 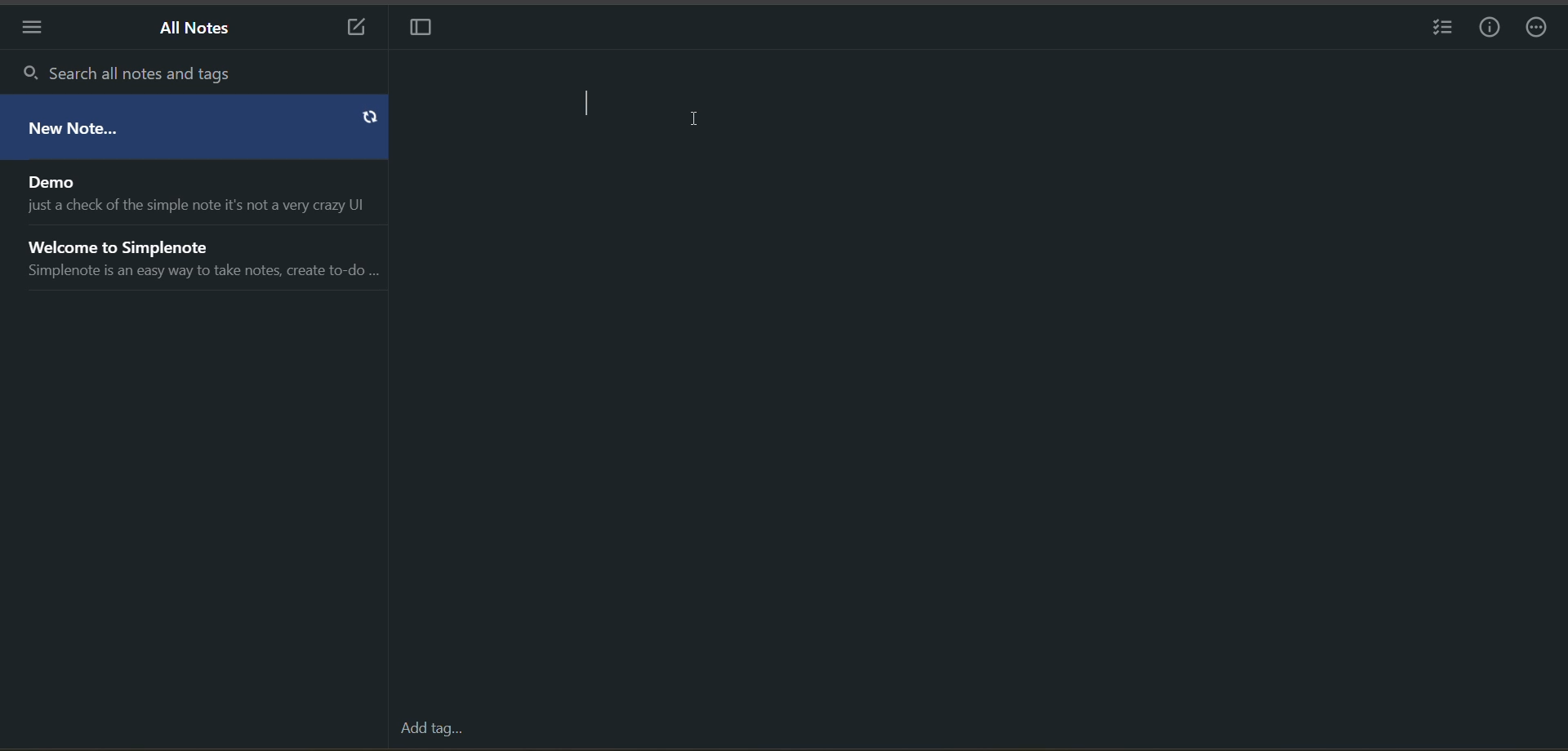 What do you see at coordinates (198, 28) in the screenshot?
I see `all  notes` at bounding box center [198, 28].